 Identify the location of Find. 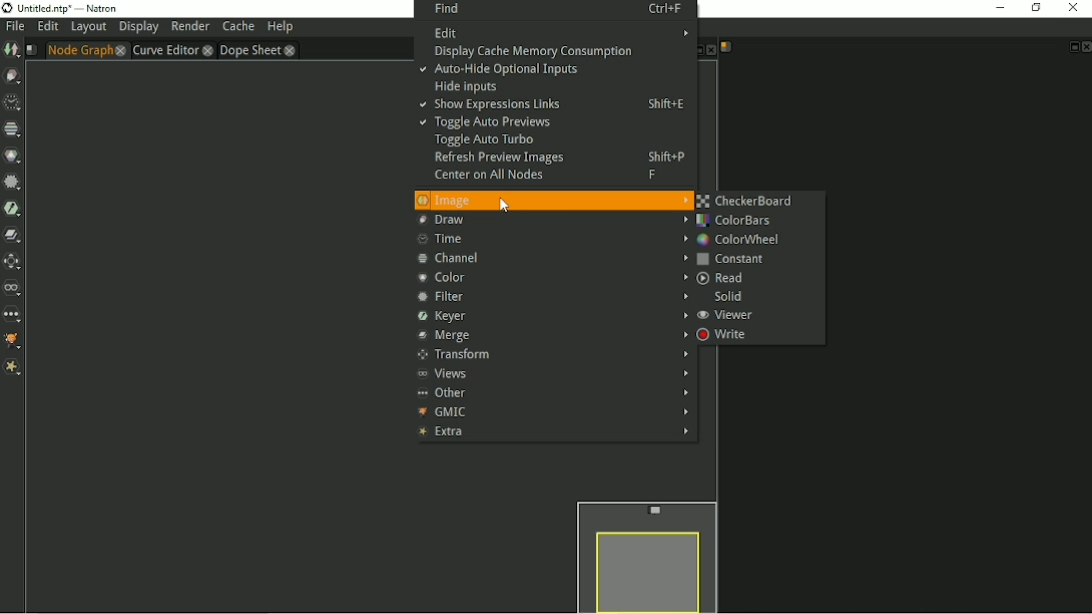
(556, 9).